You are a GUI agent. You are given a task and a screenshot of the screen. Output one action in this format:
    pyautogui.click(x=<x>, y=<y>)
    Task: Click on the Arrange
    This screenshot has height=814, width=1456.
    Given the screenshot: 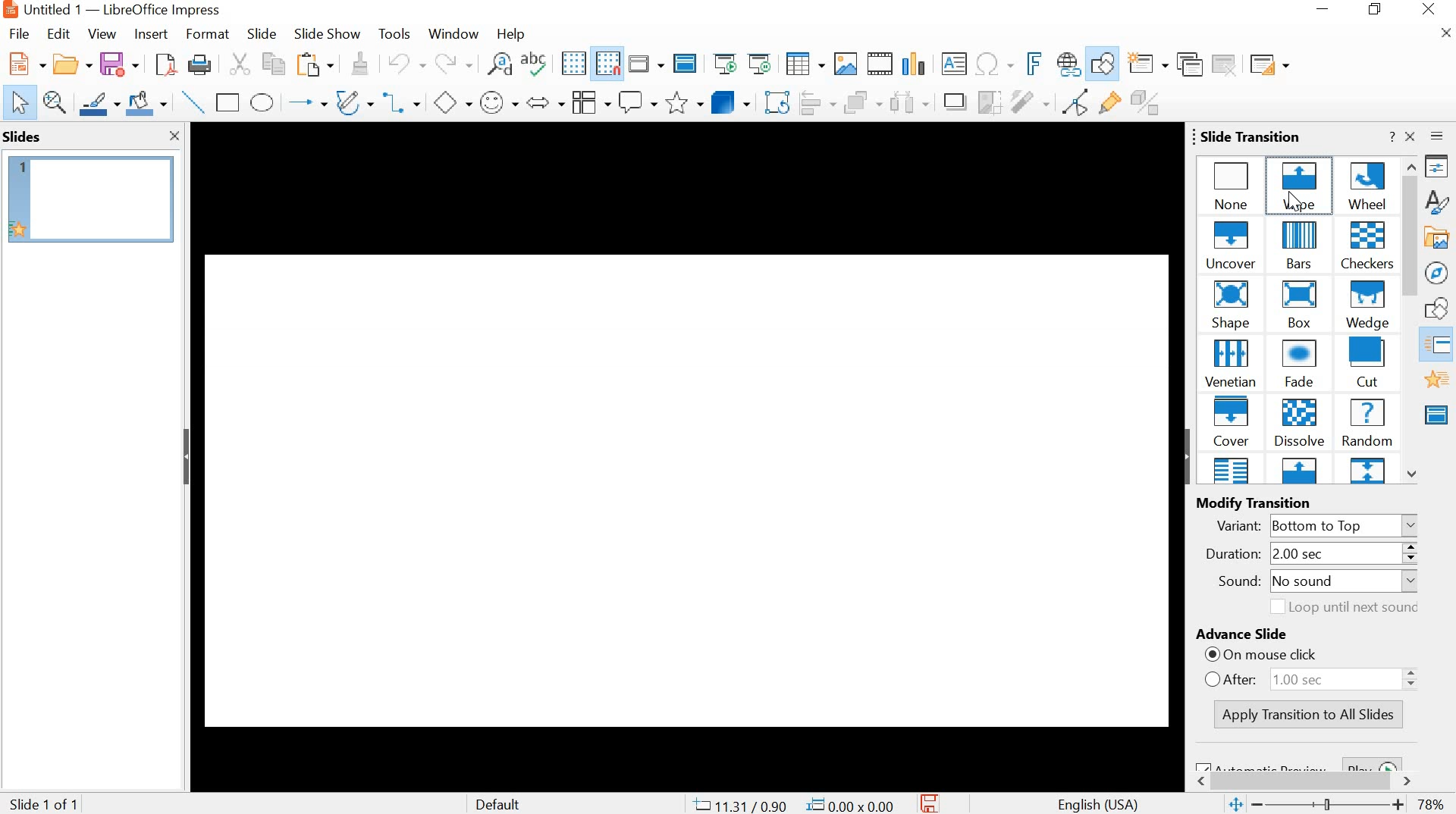 What is the action you would take?
    pyautogui.click(x=863, y=101)
    